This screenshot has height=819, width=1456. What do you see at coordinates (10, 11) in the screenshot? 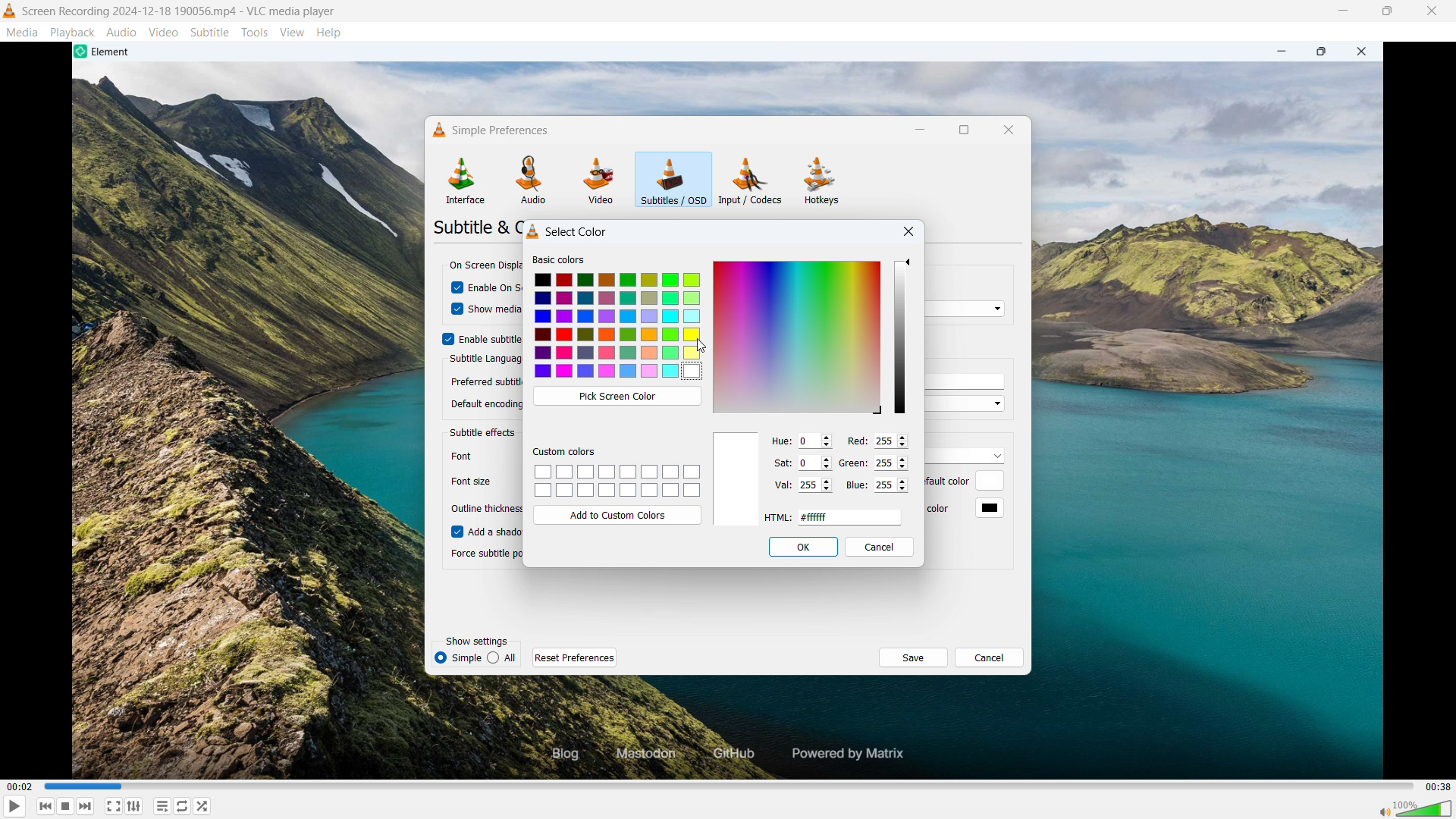
I see `Logo ` at bounding box center [10, 11].